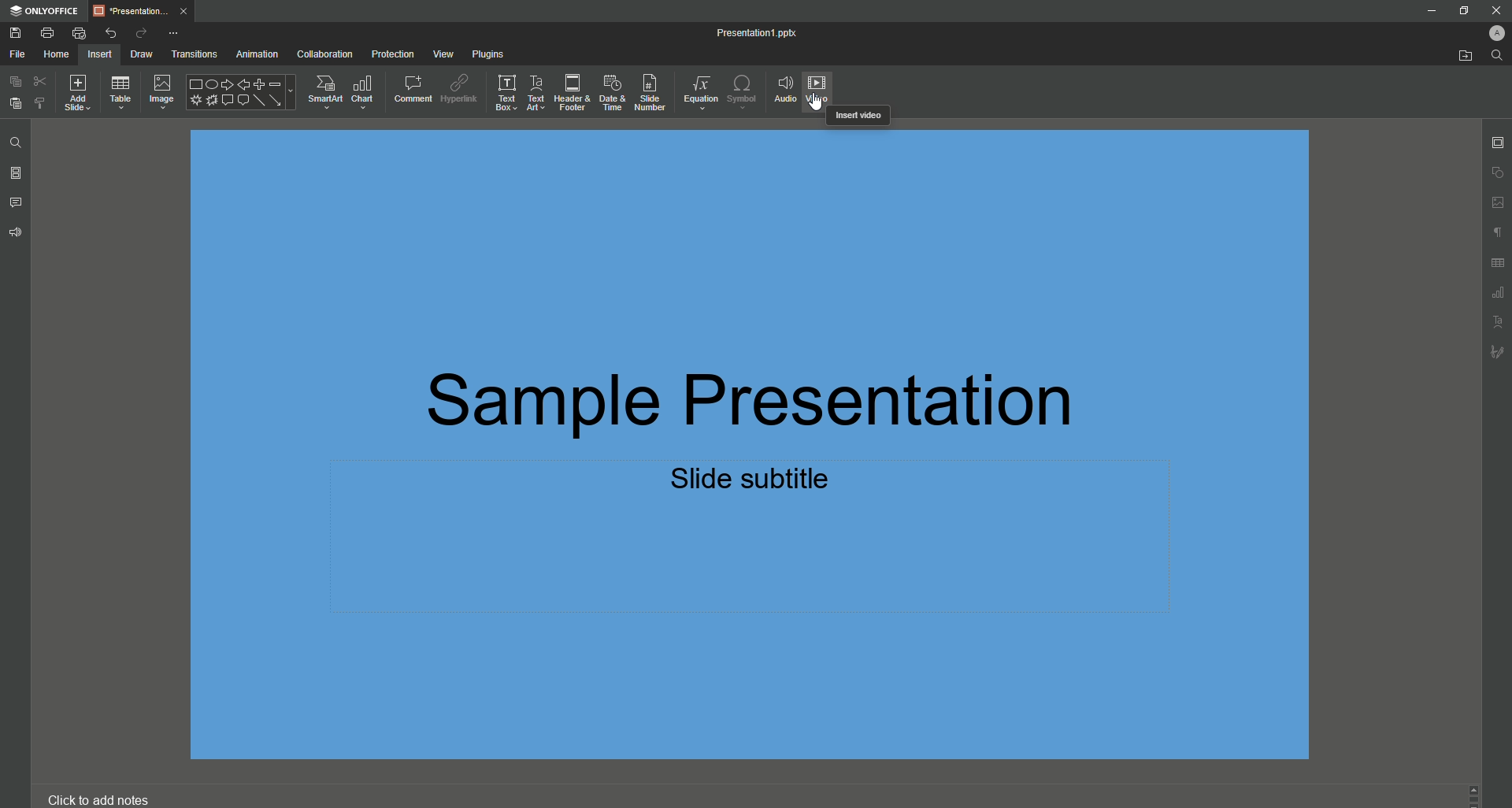 This screenshot has height=808, width=1512. What do you see at coordinates (324, 53) in the screenshot?
I see `Collaboration` at bounding box center [324, 53].